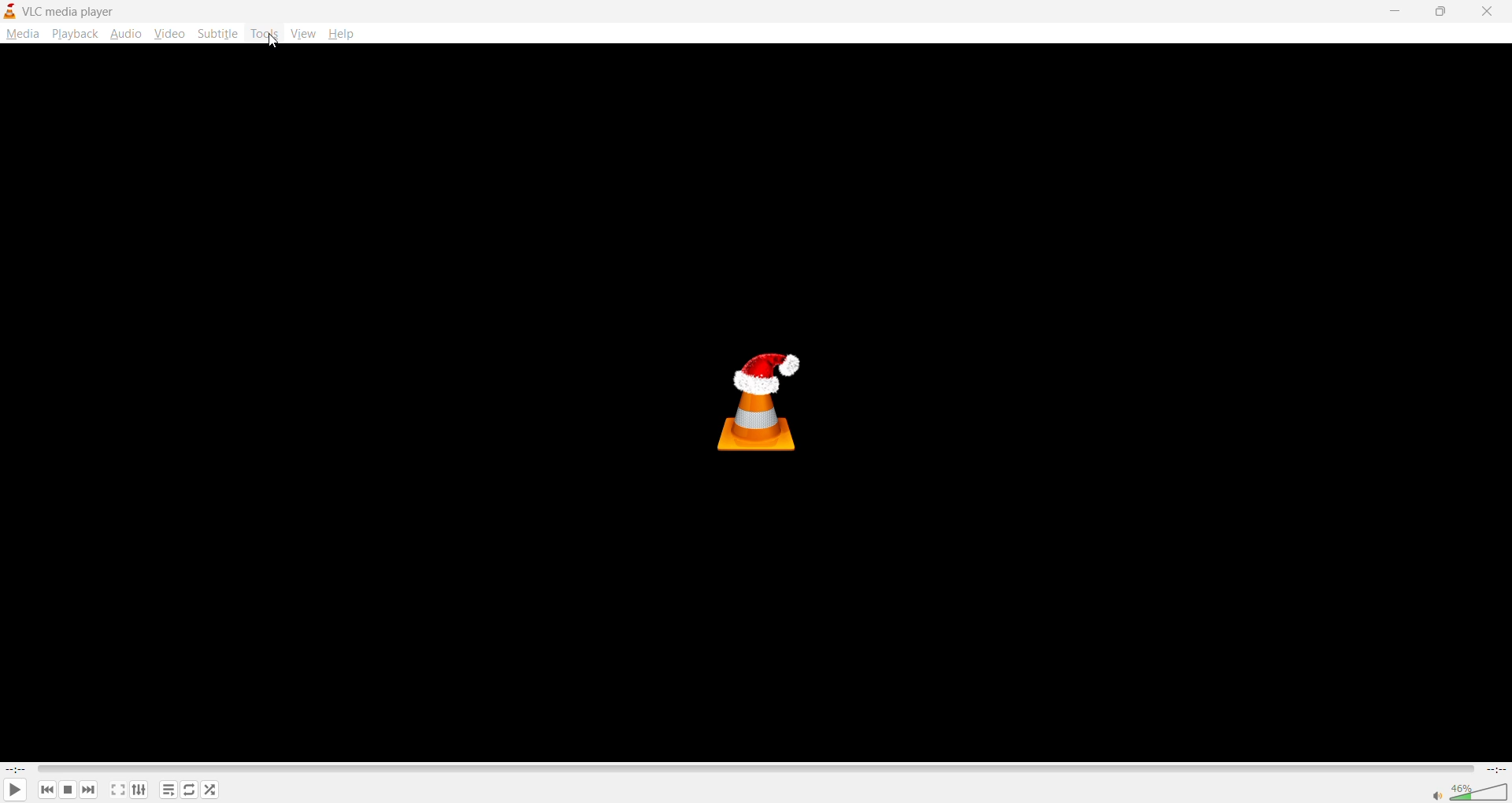  What do you see at coordinates (86, 790) in the screenshot?
I see `next` at bounding box center [86, 790].